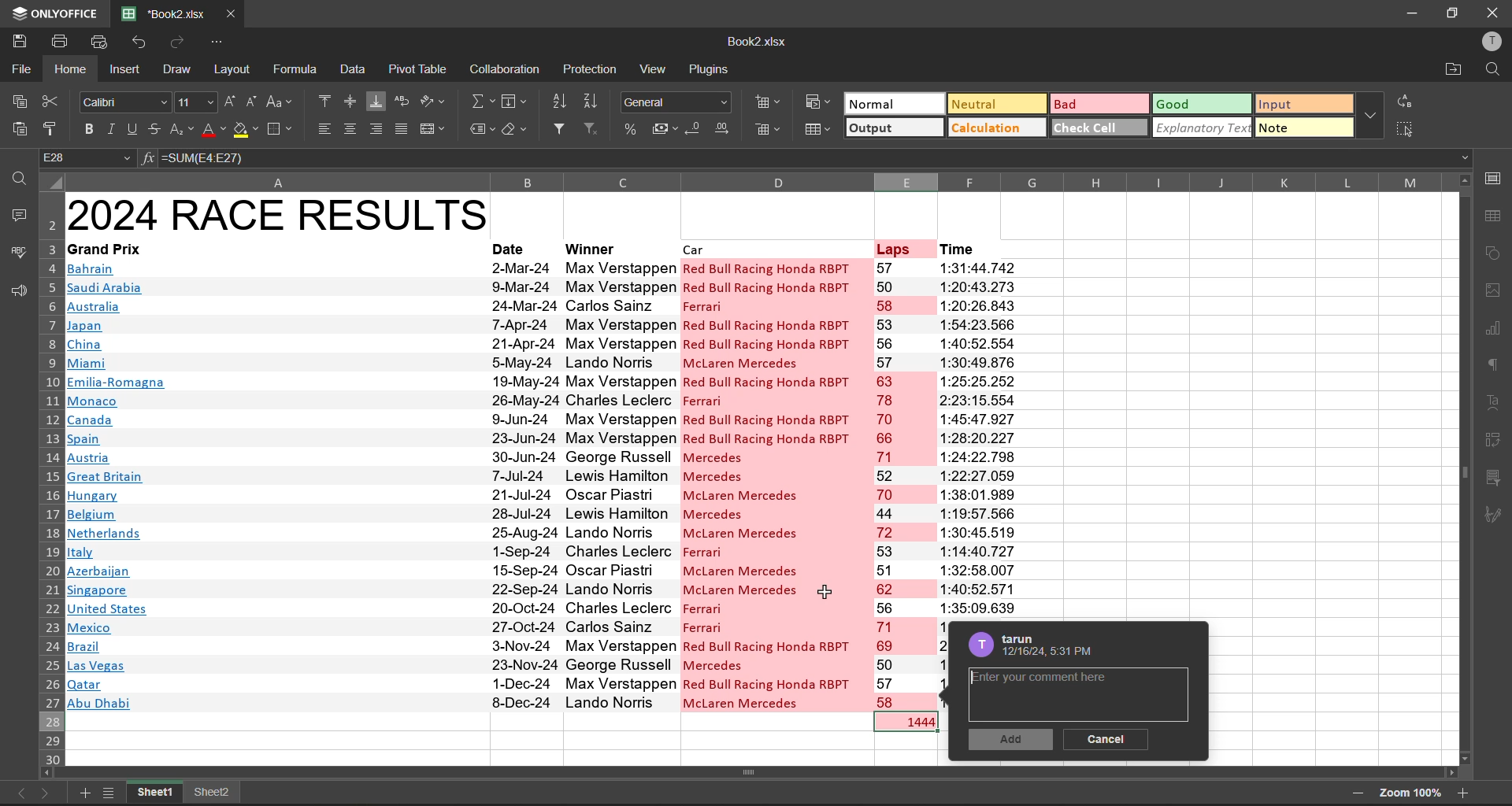 The height and width of the screenshot is (806, 1512). I want to click on profile and timestamp, so click(1054, 648).